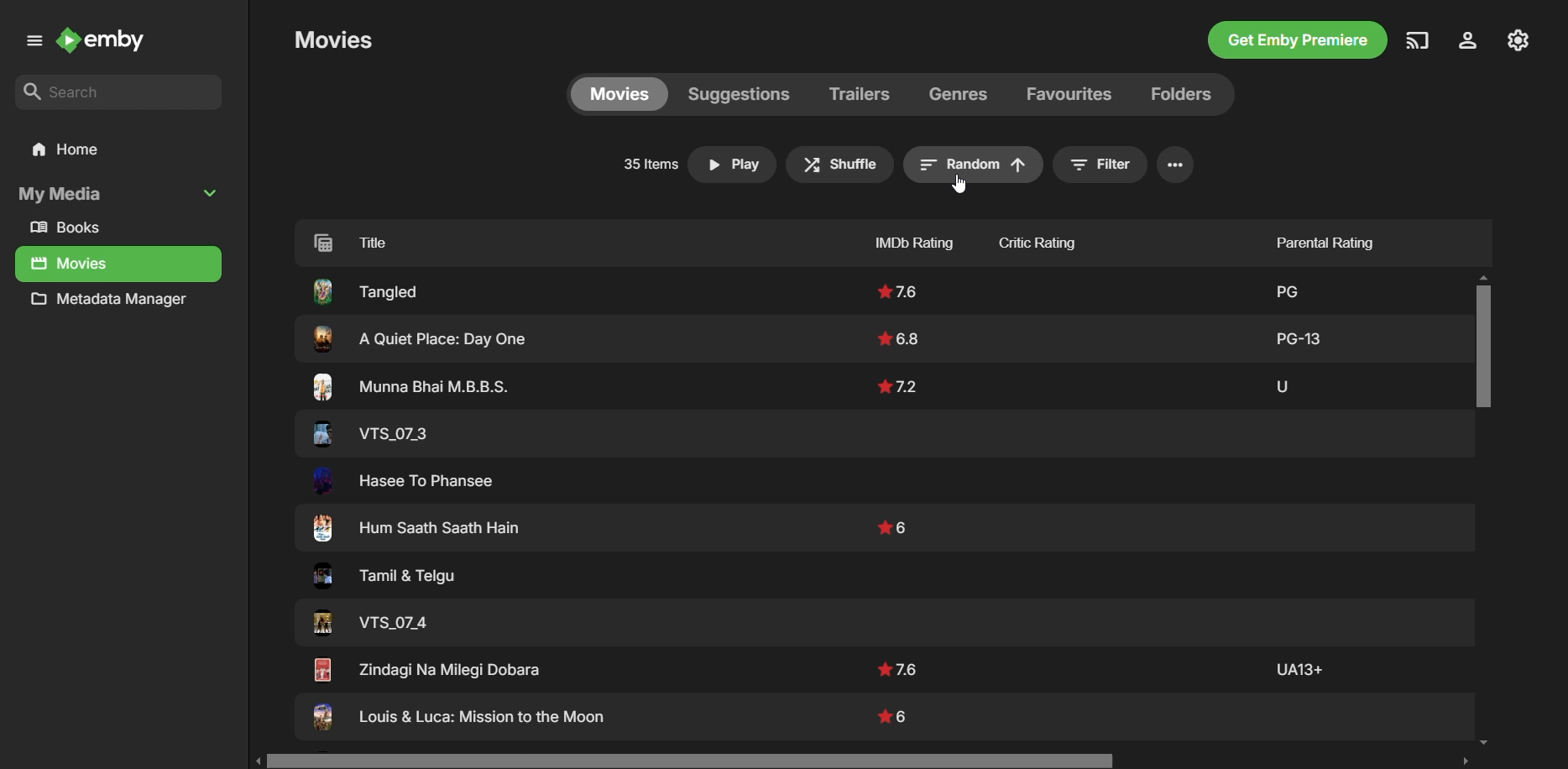 The height and width of the screenshot is (769, 1568). I want to click on Horizontal Scroll Bar, so click(867, 761).